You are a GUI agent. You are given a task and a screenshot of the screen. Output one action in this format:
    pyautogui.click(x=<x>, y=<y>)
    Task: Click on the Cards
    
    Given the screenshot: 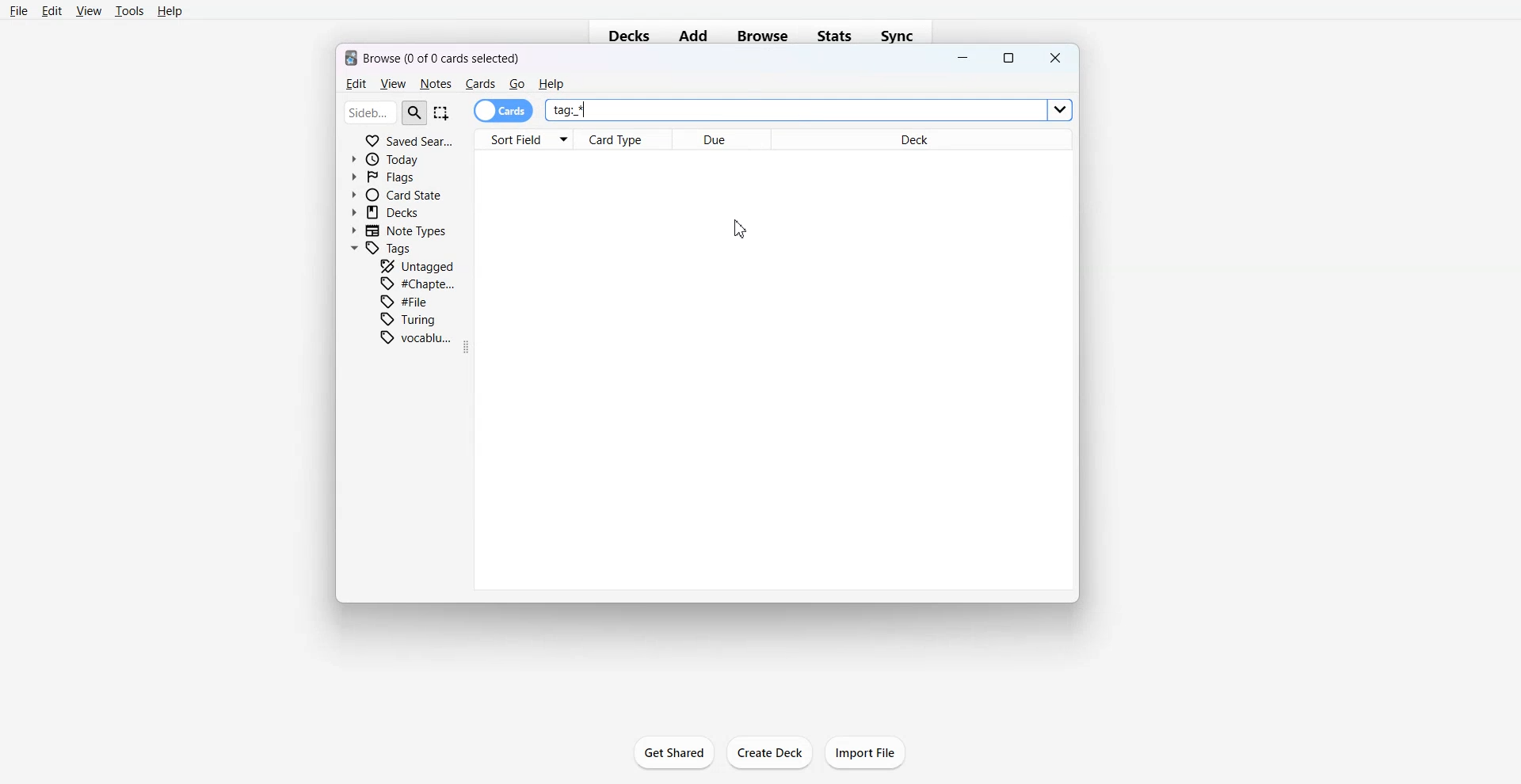 What is the action you would take?
    pyautogui.click(x=480, y=84)
    